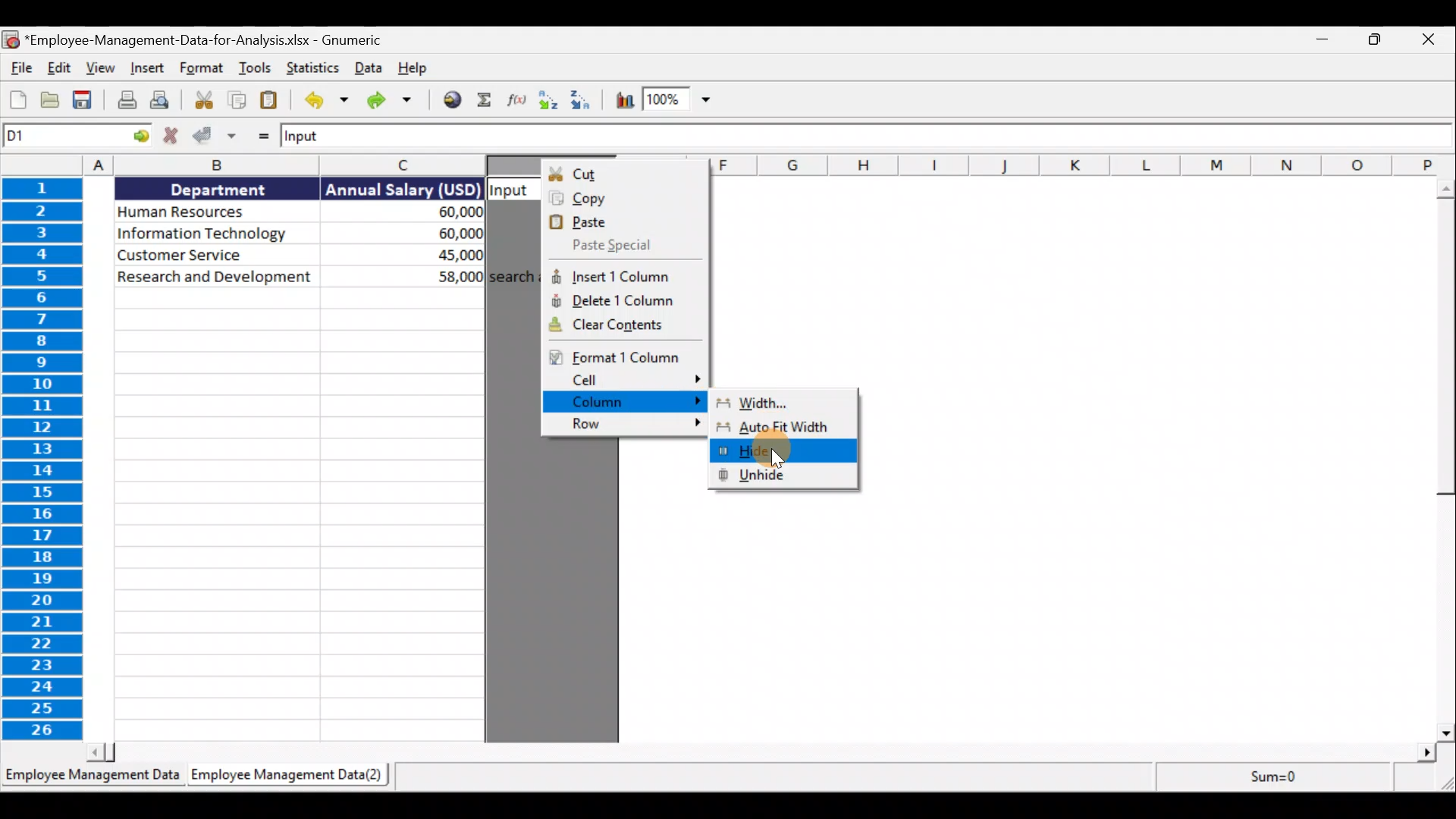 This screenshot has width=1456, height=819. What do you see at coordinates (202, 66) in the screenshot?
I see `Format` at bounding box center [202, 66].